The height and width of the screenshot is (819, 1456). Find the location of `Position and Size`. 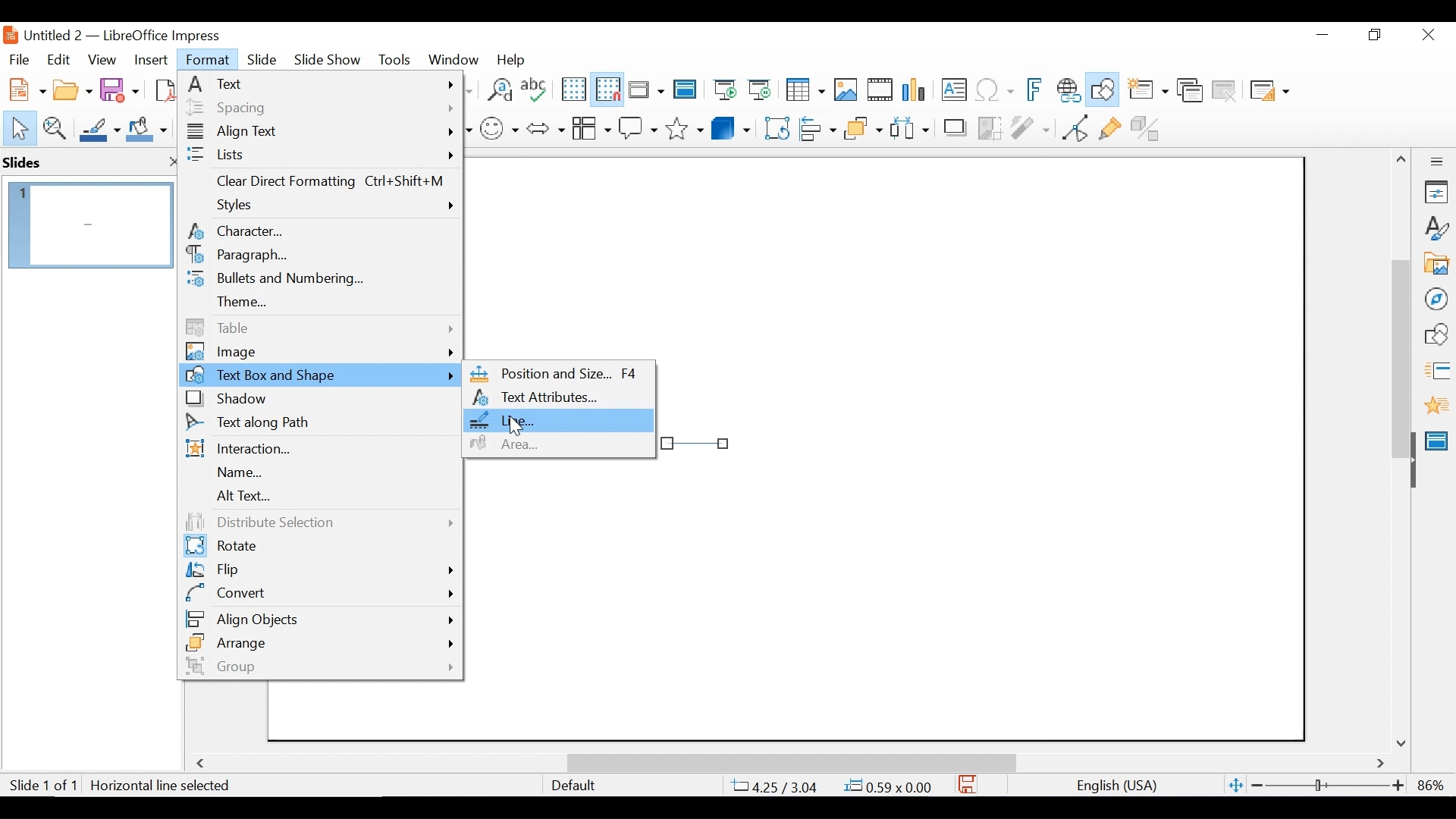

Position and Size is located at coordinates (557, 375).